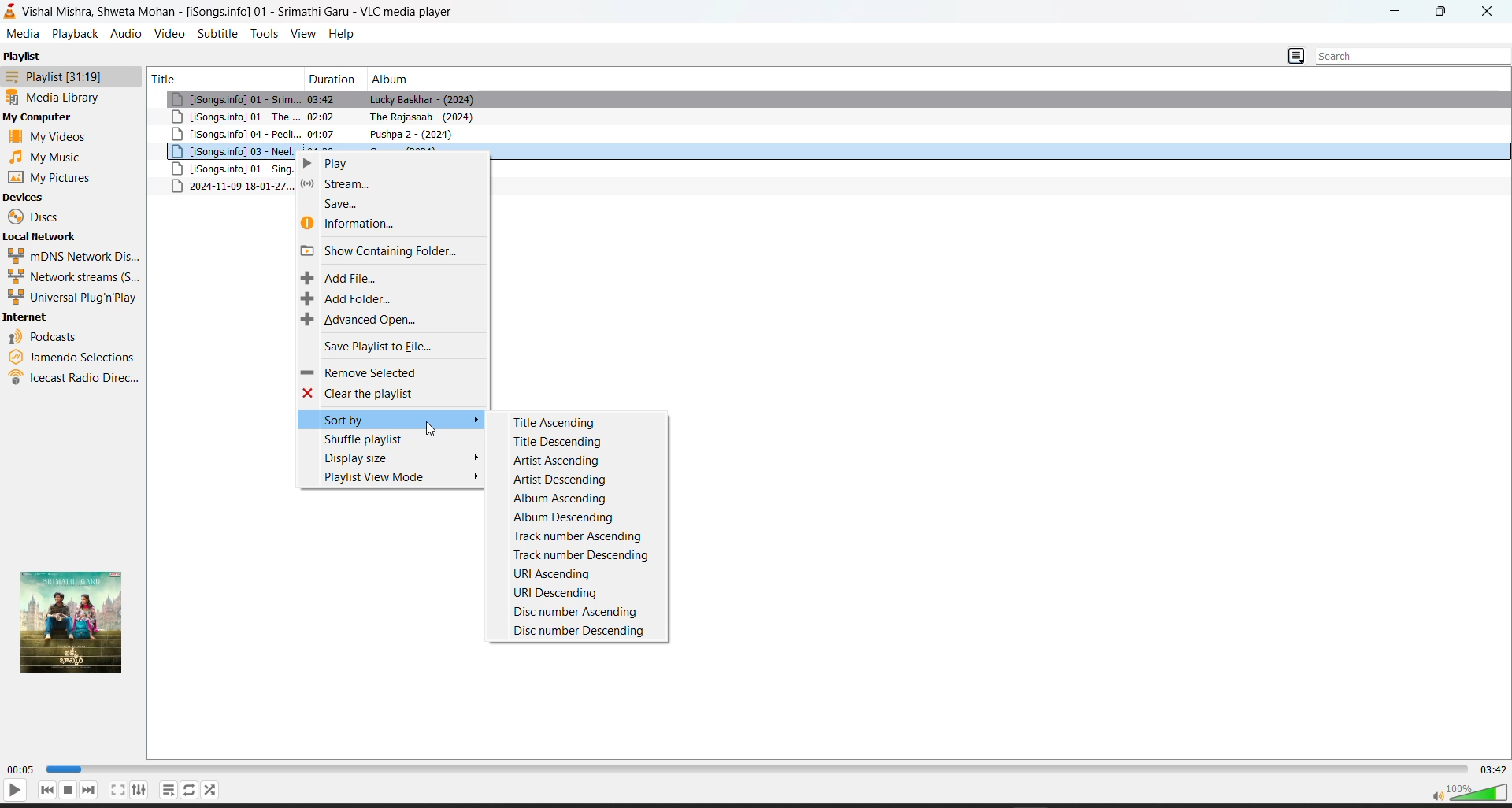 Image resolution: width=1512 pixels, height=808 pixels. Describe the element at coordinates (394, 371) in the screenshot. I see `remove selected` at that location.